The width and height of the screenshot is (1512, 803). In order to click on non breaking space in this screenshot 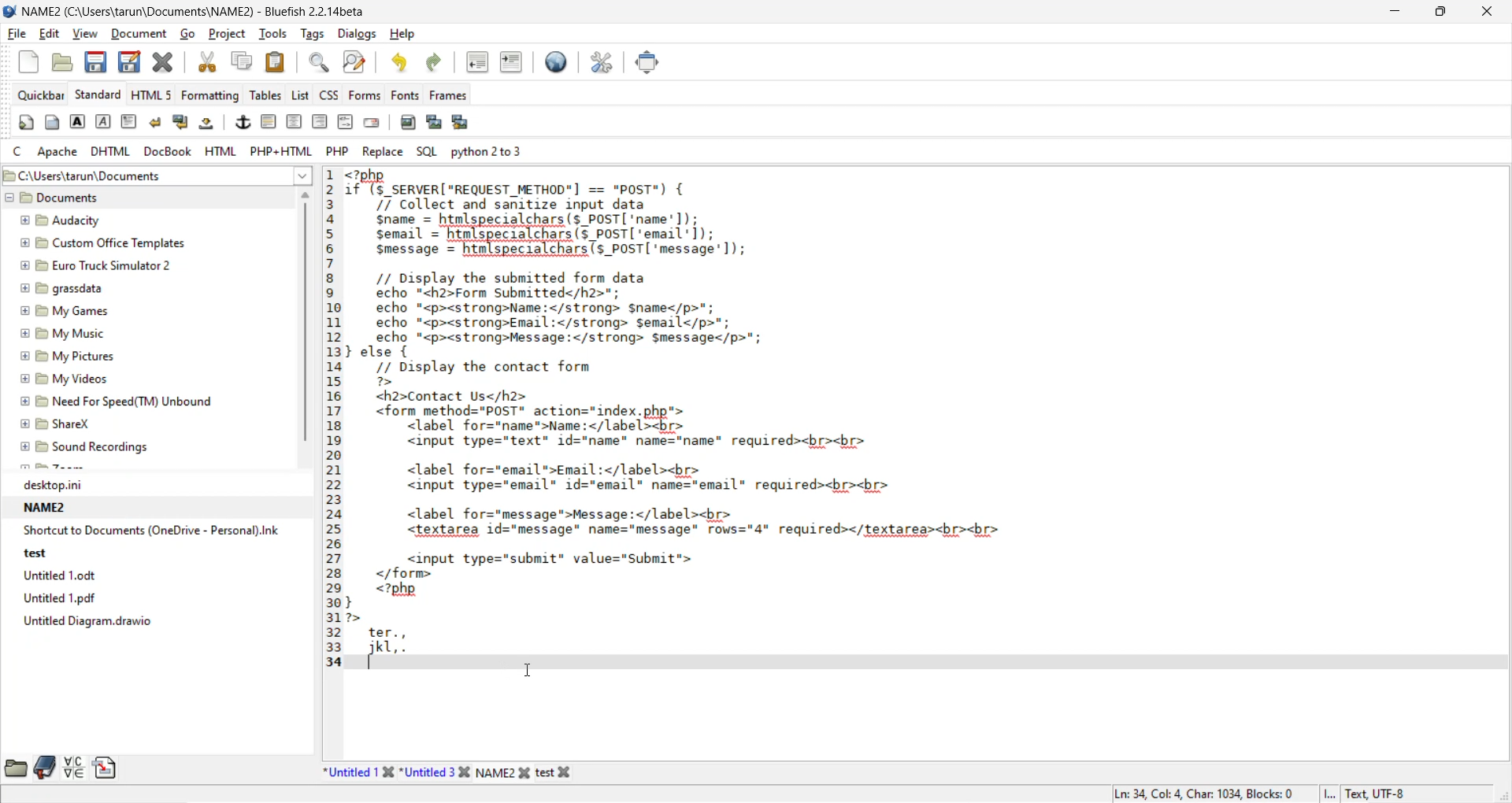, I will do `click(210, 124)`.